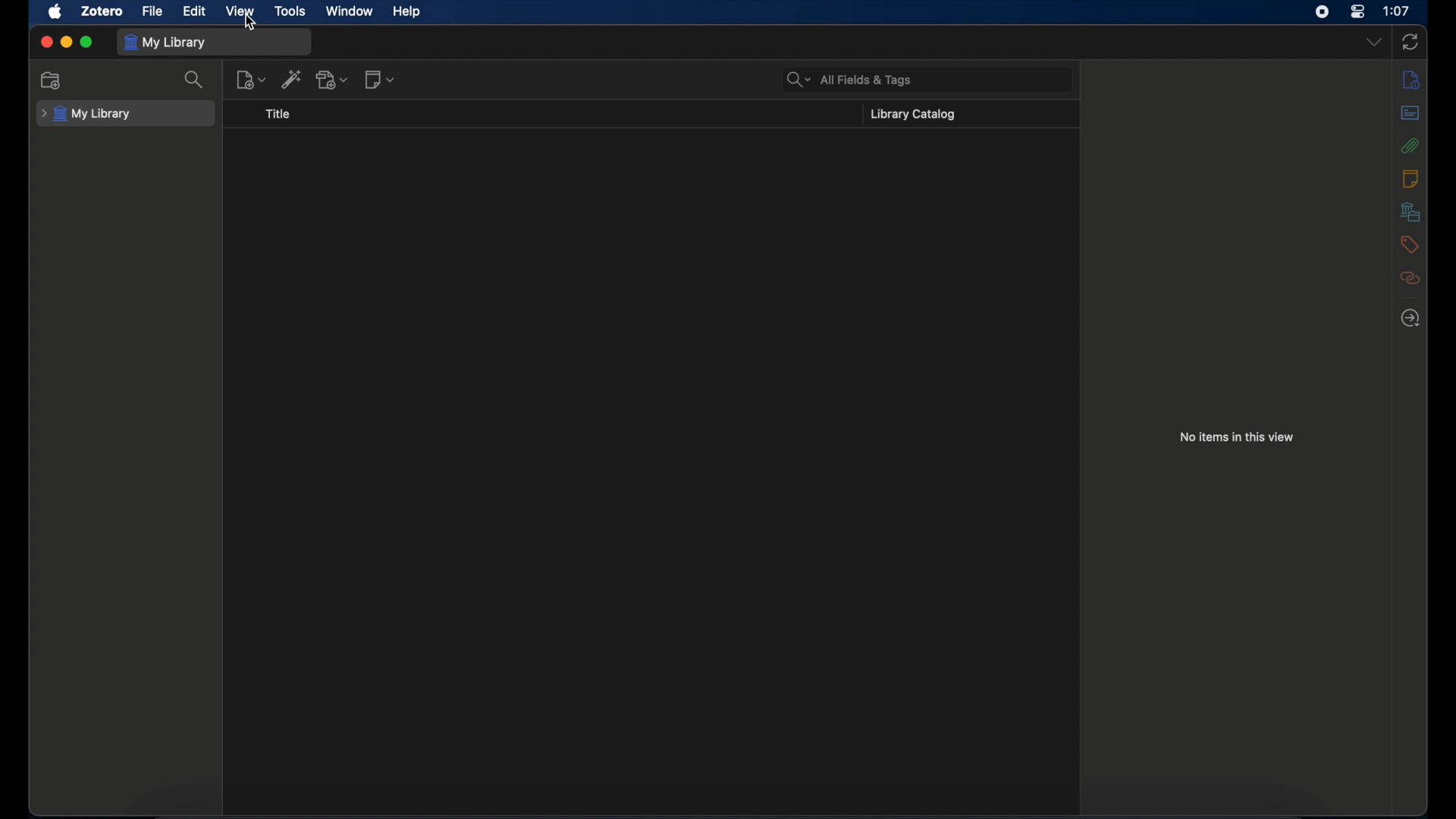  I want to click on libraries, so click(1410, 211).